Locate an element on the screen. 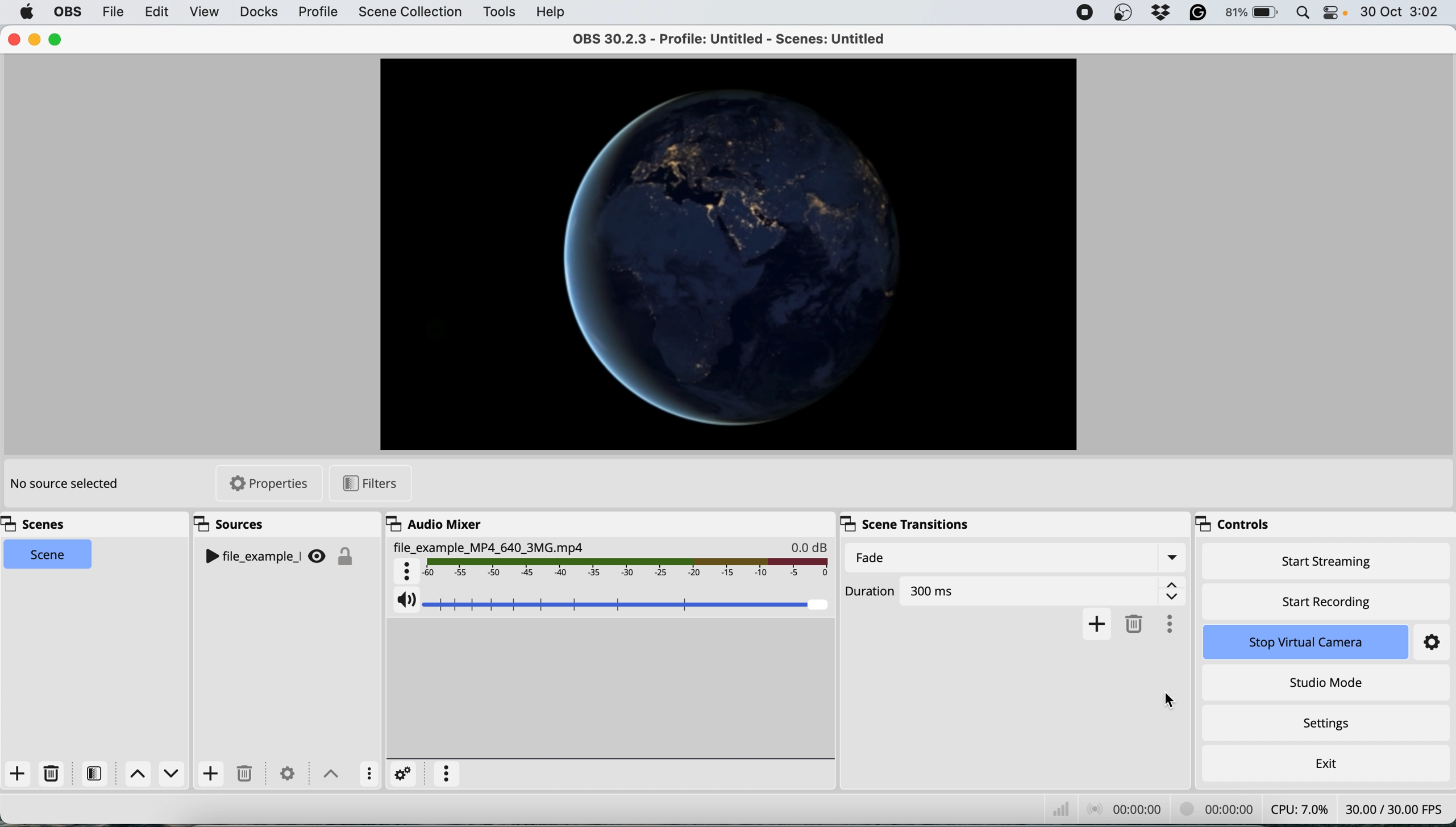 This screenshot has height=827, width=1456. settings is located at coordinates (1434, 641).